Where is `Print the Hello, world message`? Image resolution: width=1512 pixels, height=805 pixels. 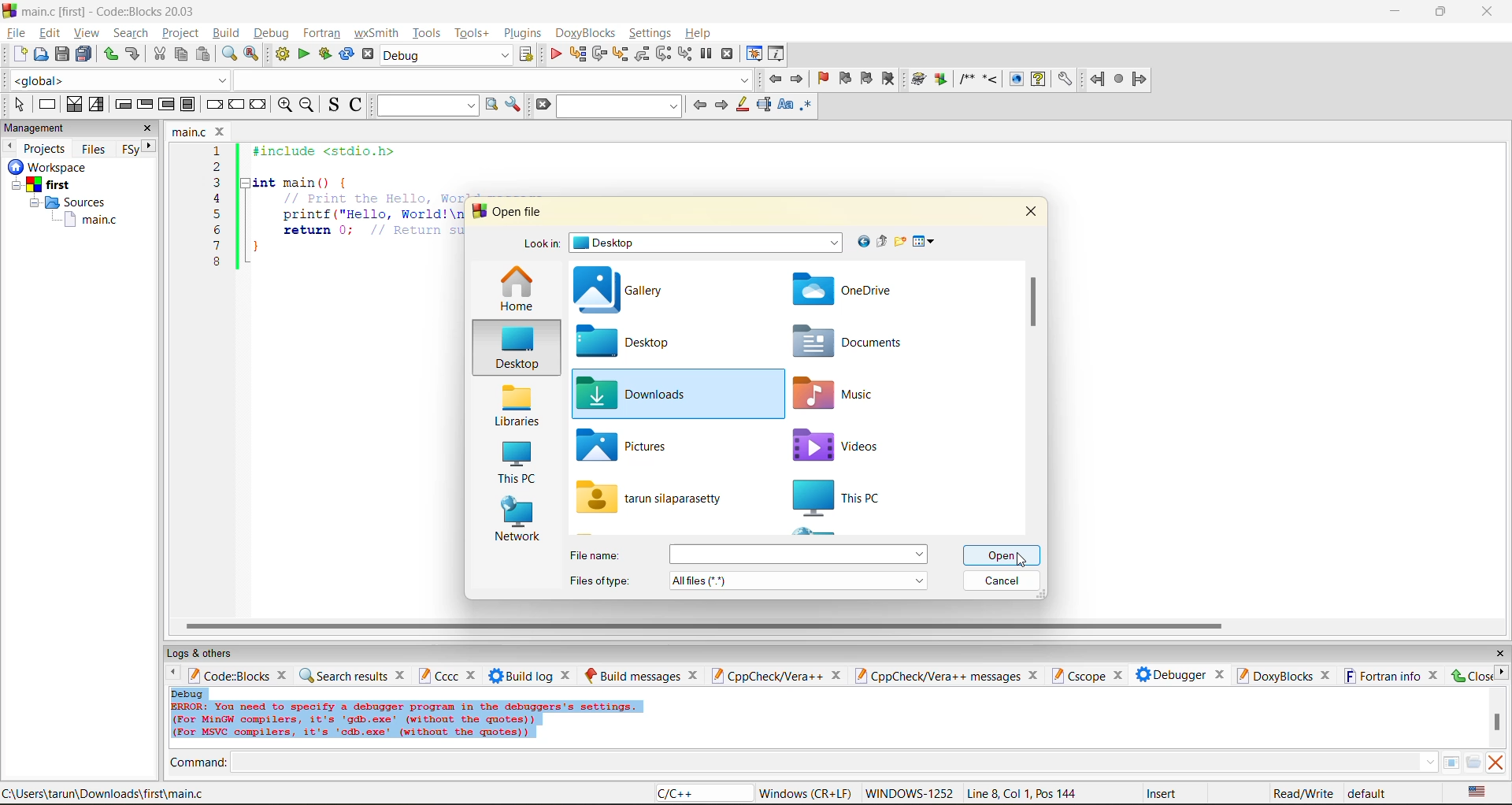 Print the Hello, world message is located at coordinates (373, 198).